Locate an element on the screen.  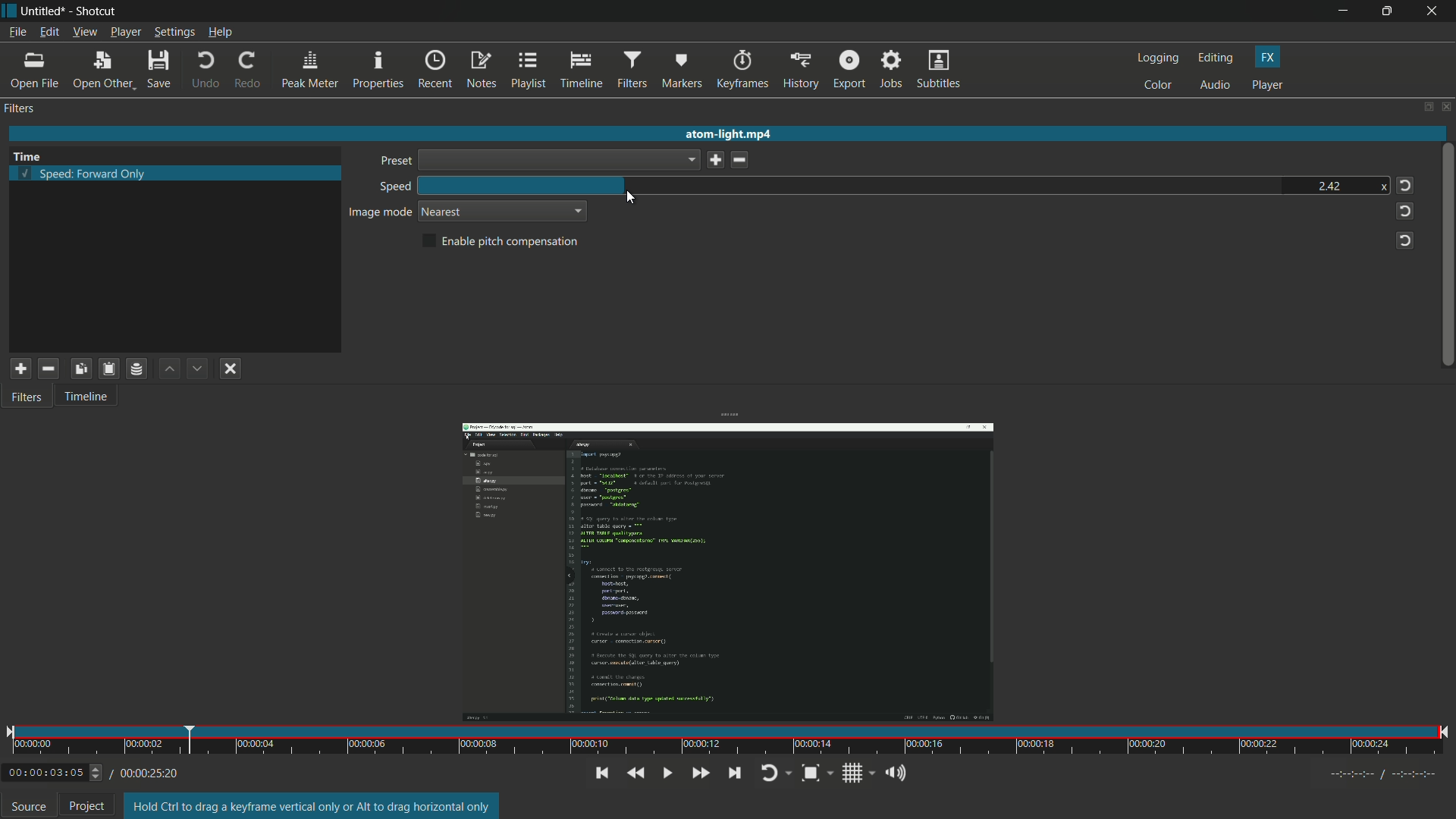
change layout is located at coordinates (1426, 107).